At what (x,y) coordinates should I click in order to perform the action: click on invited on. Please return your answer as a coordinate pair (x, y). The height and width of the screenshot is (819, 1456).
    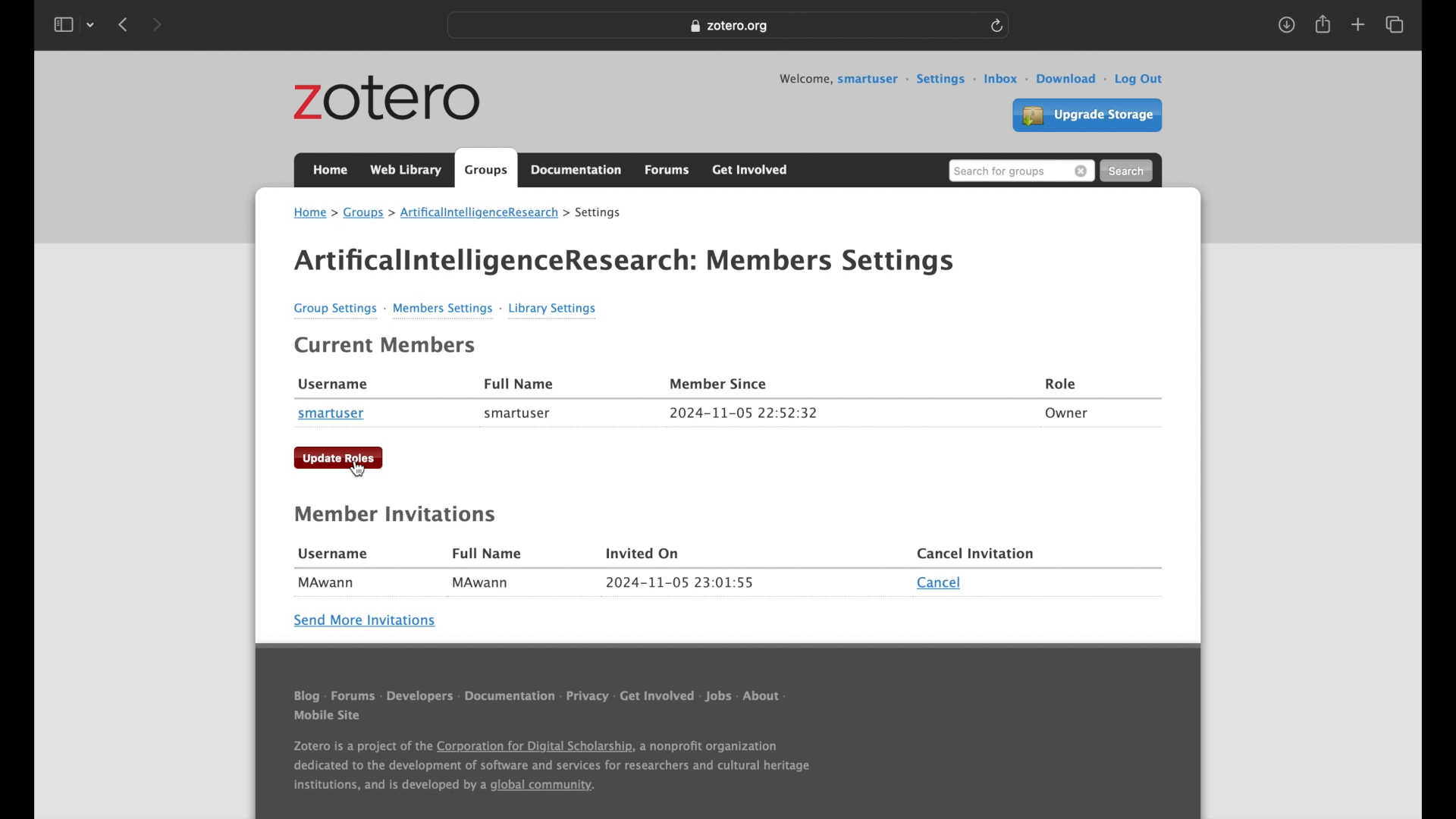
    Looking at the image, I should click on (643, 554).